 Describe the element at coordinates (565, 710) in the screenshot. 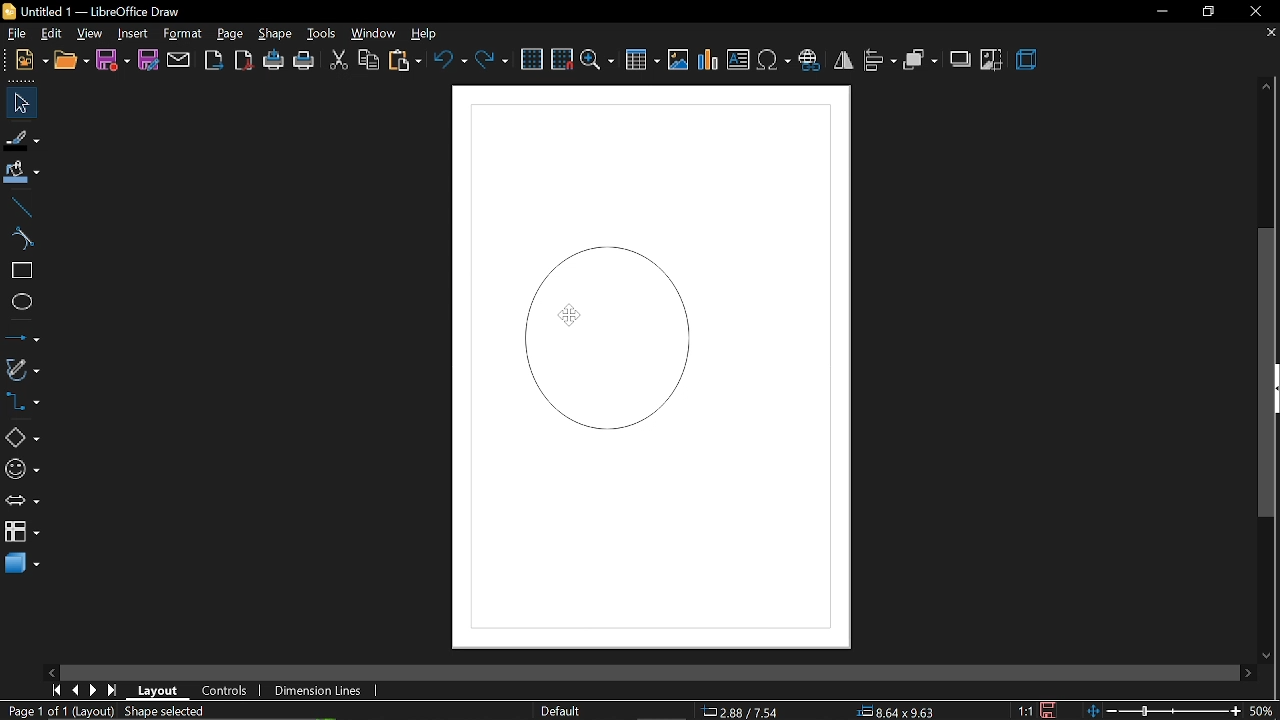

I see `page style (Default)` at that location.